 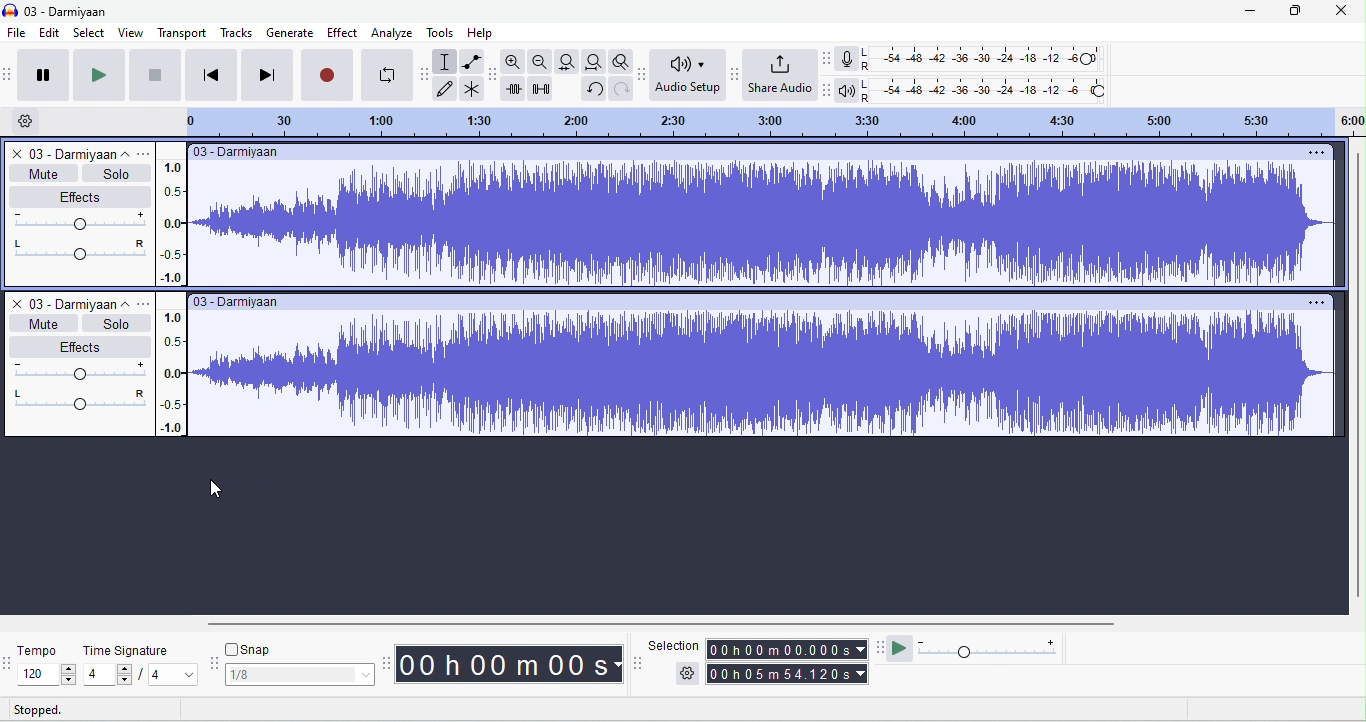 What do you see at coordinates (17, 34) in the screenshot?
I see `file` at bounding box center [17, 34].